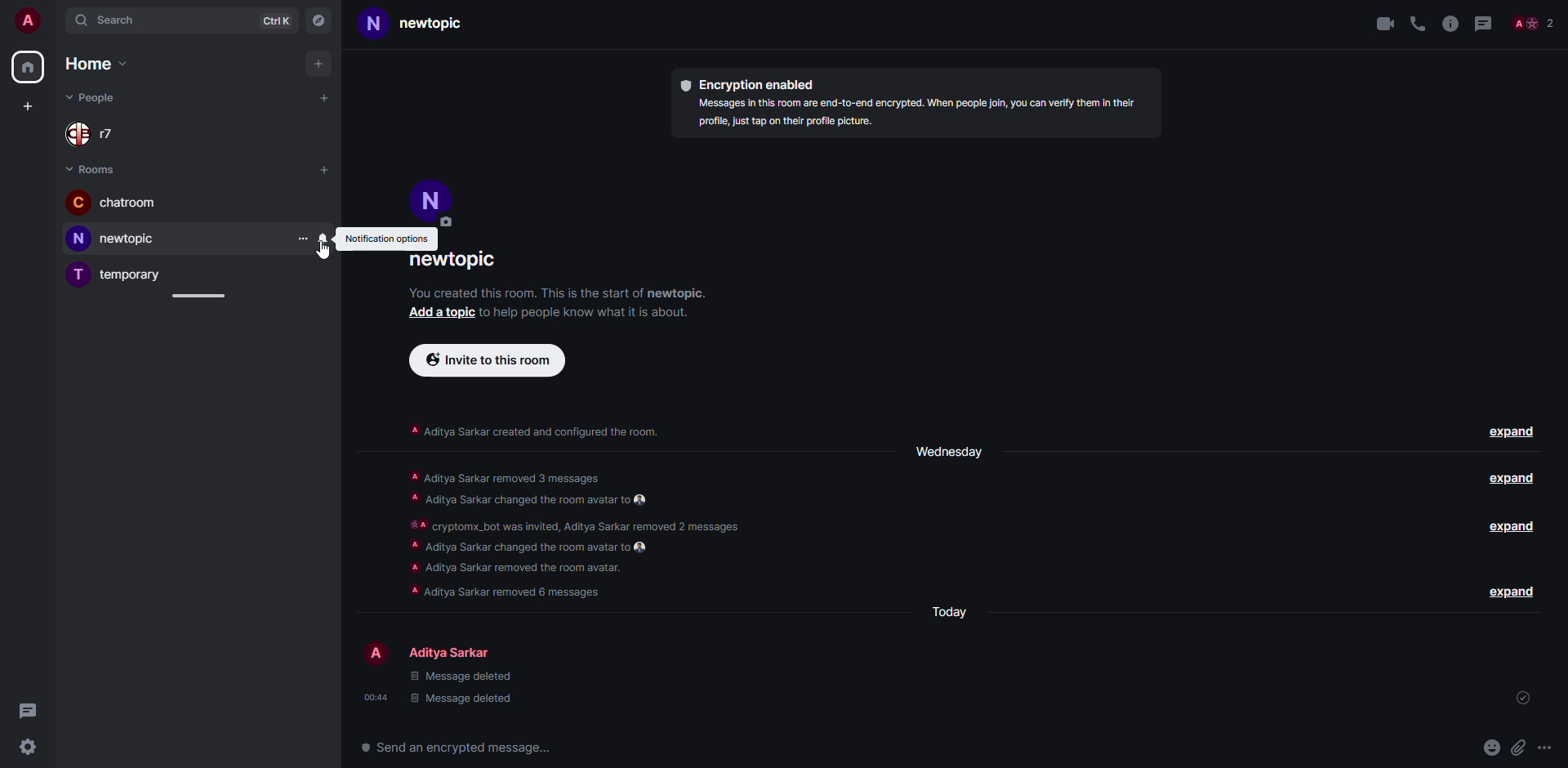 The width and height of the screenshot is (1568, 768). Describe the element at coordinates (1535, 25) in the screenshot. I see `people` at that location.